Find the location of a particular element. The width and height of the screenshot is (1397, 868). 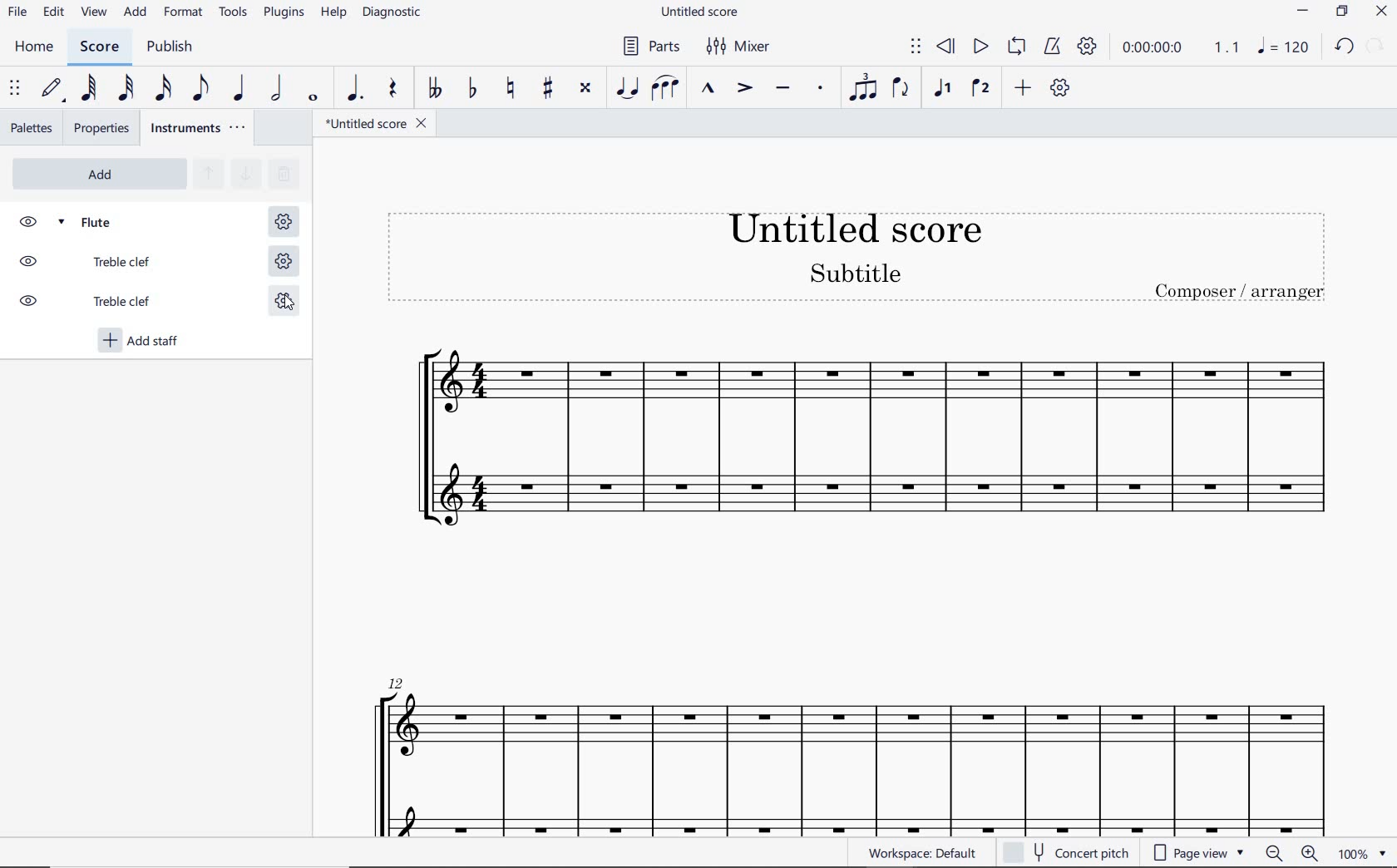

minimize is located at coordinates (1302, 11).